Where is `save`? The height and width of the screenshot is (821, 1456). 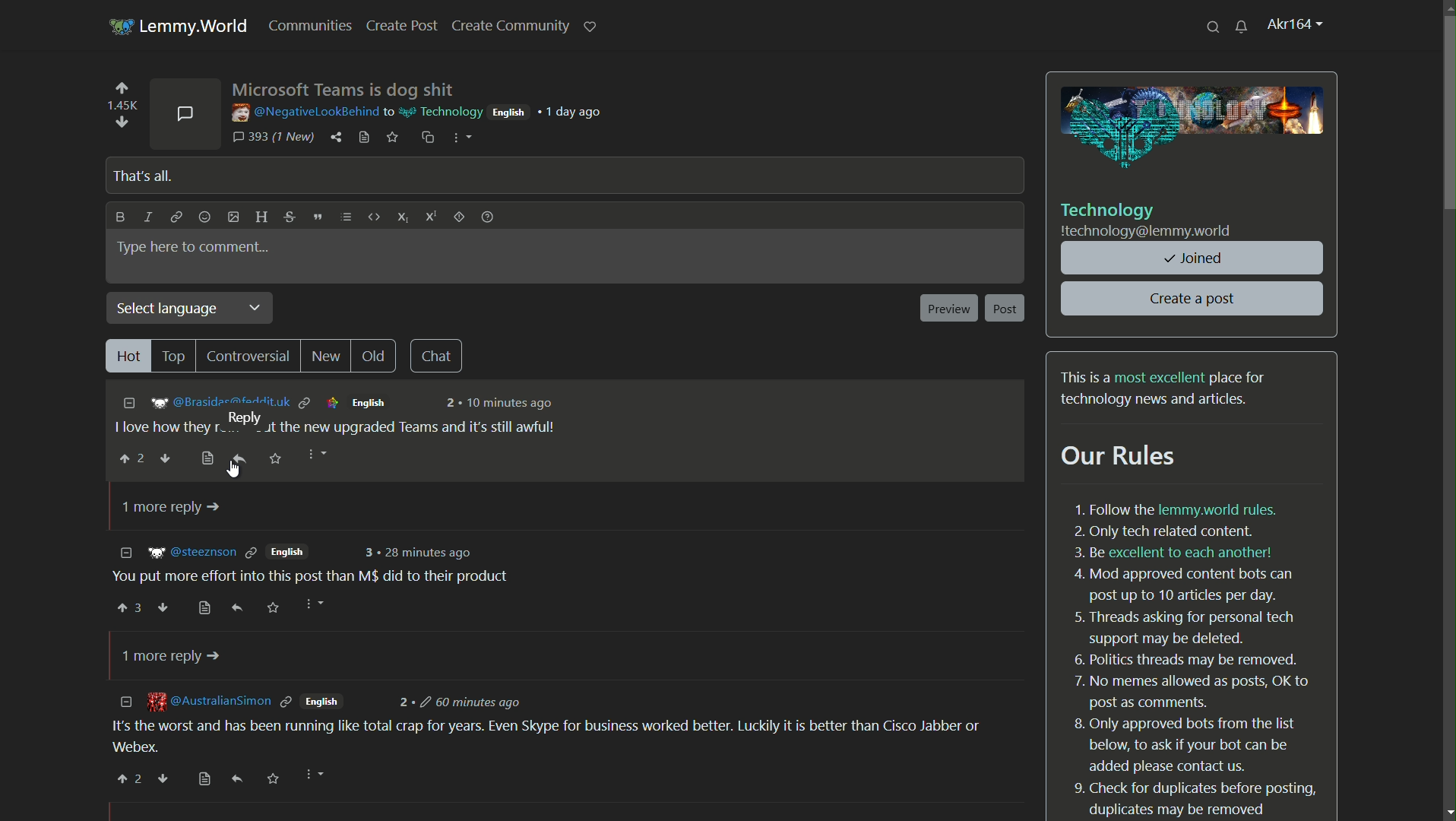
save is located at coordinates (394, 138).